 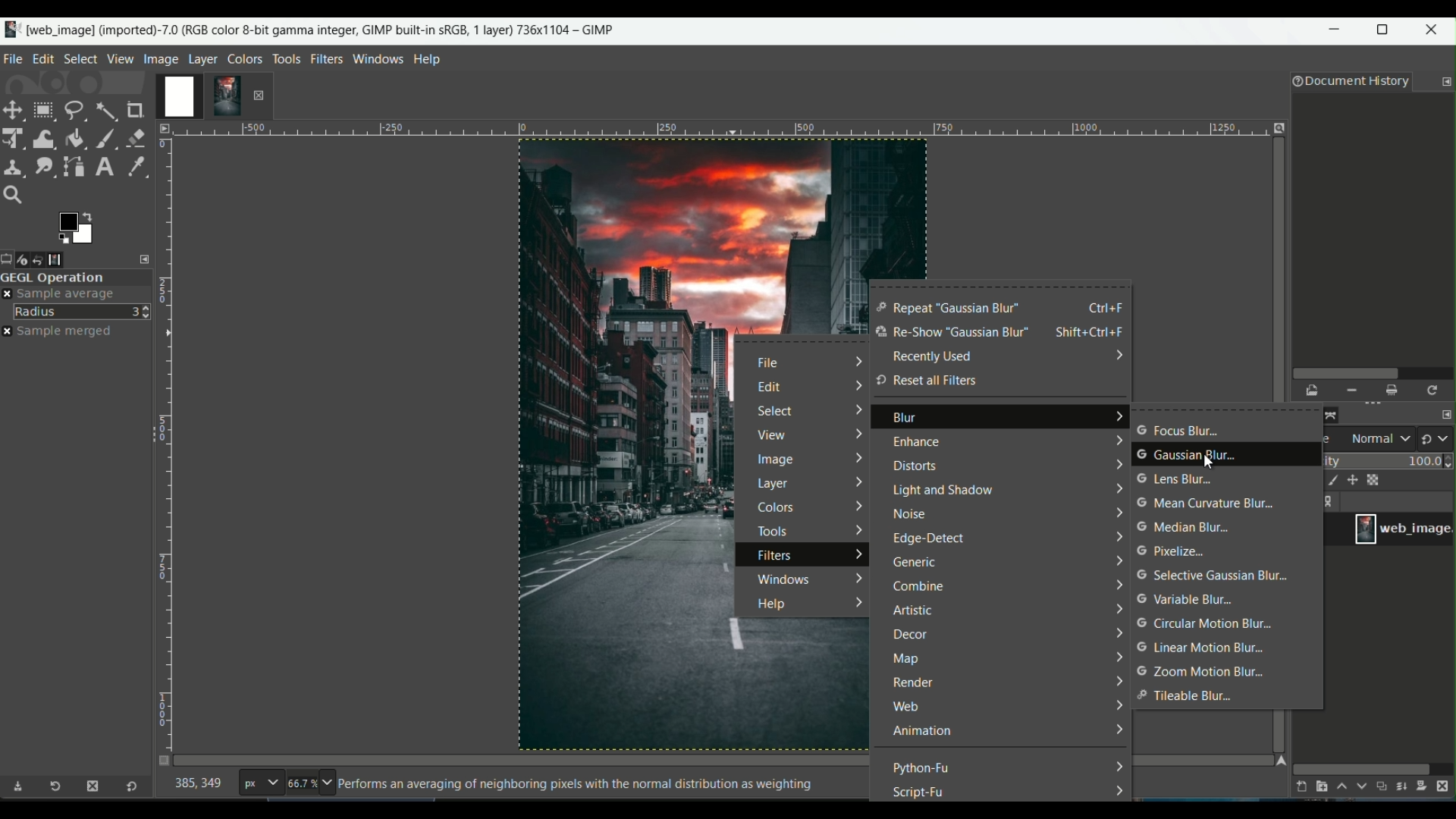 What do you see at coordinates (146, 259) in the screenshot?
I see `configure this tab` at bounding box center [146, 259].